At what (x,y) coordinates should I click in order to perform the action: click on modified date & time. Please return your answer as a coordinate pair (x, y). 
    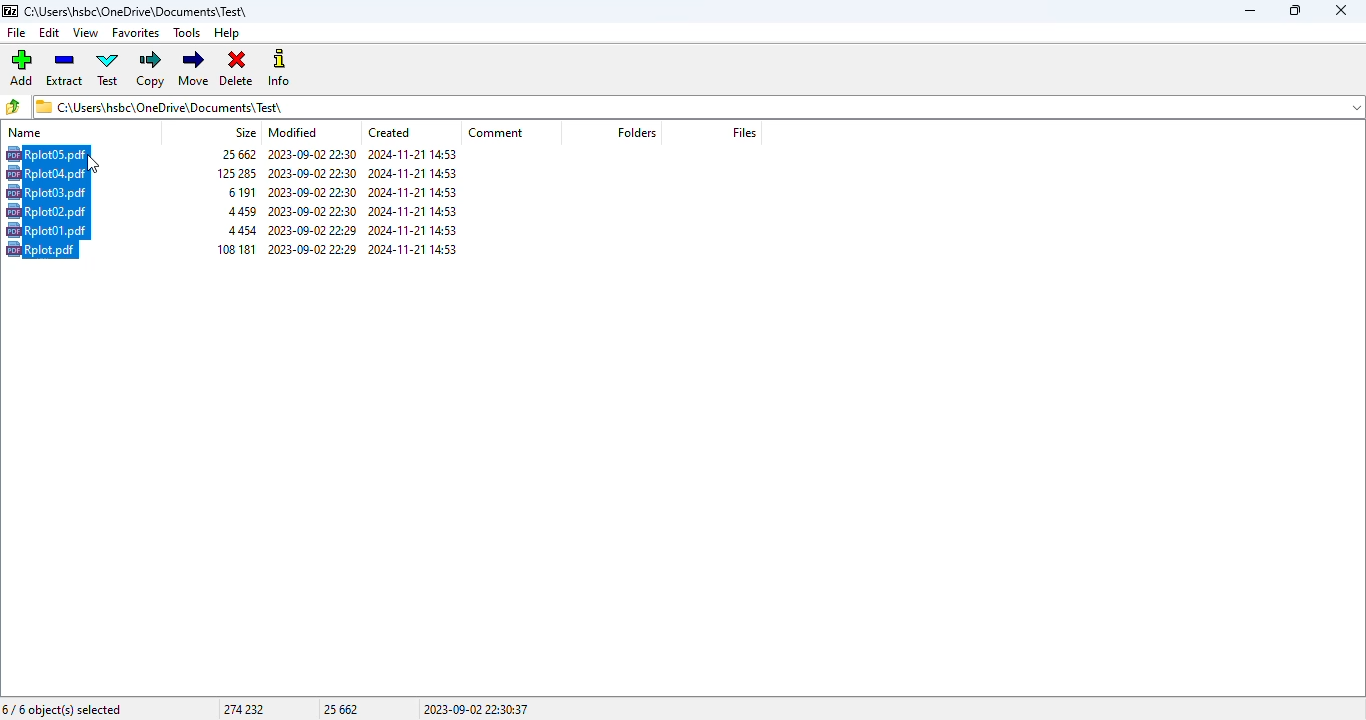
    Looking at the image, I should click on (314, 211).